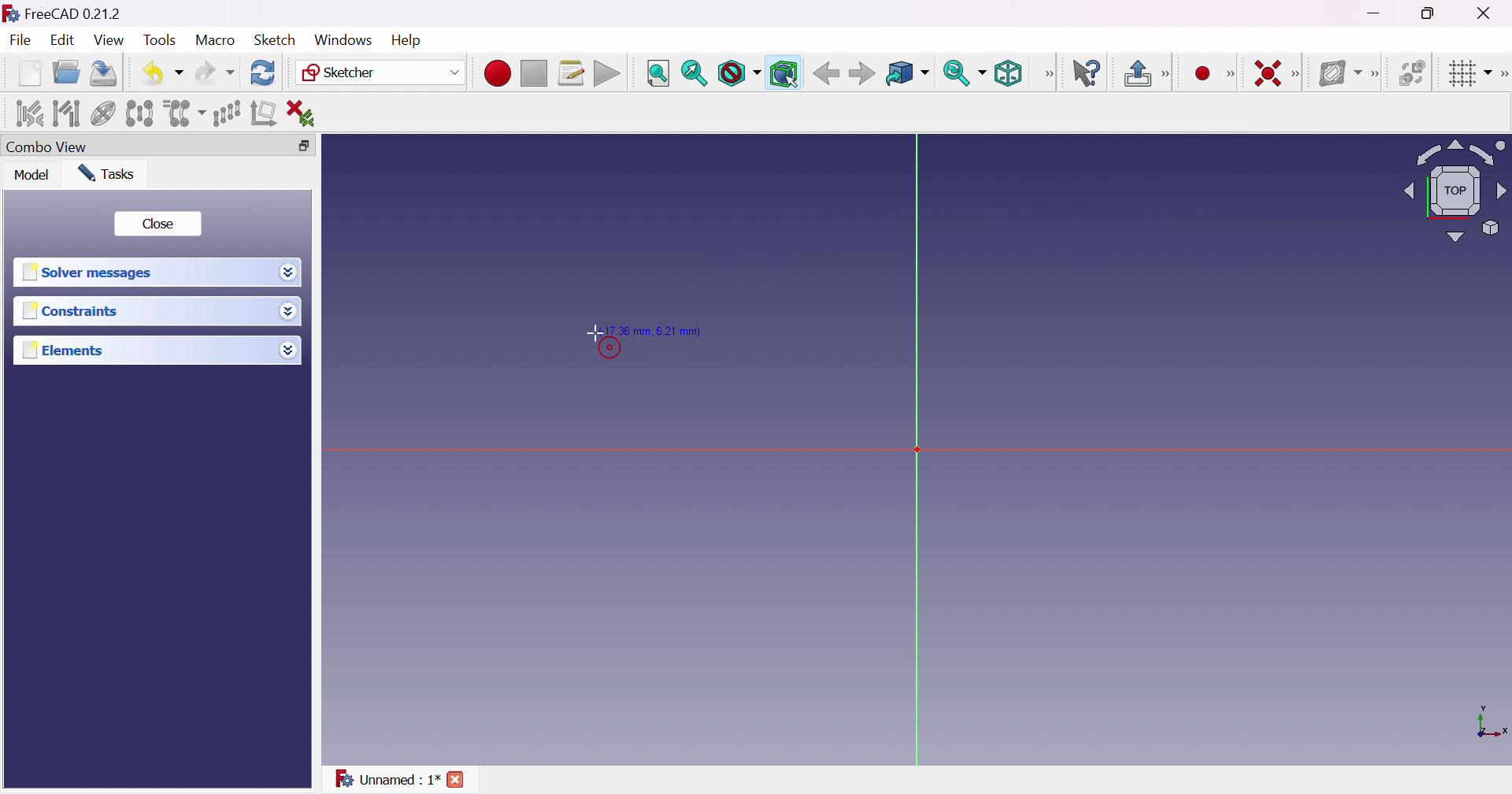 This screenshot has width=1512, height=794. What do you see at coordinates (1088, 73) in the screenshot?
I see `What's this?` at bounding box center [1088, 73].